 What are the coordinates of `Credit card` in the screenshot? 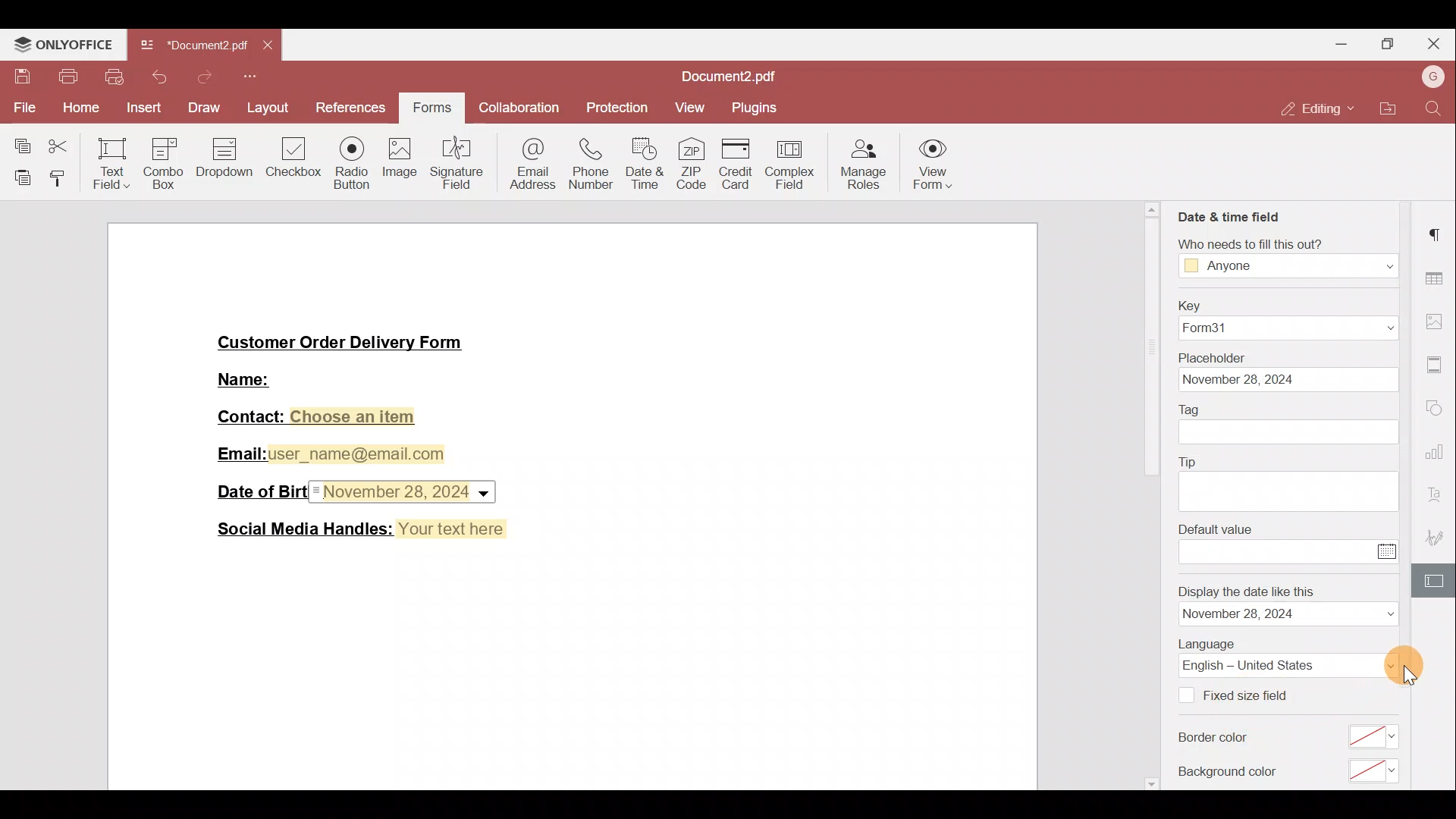 It's located at (742, 165).